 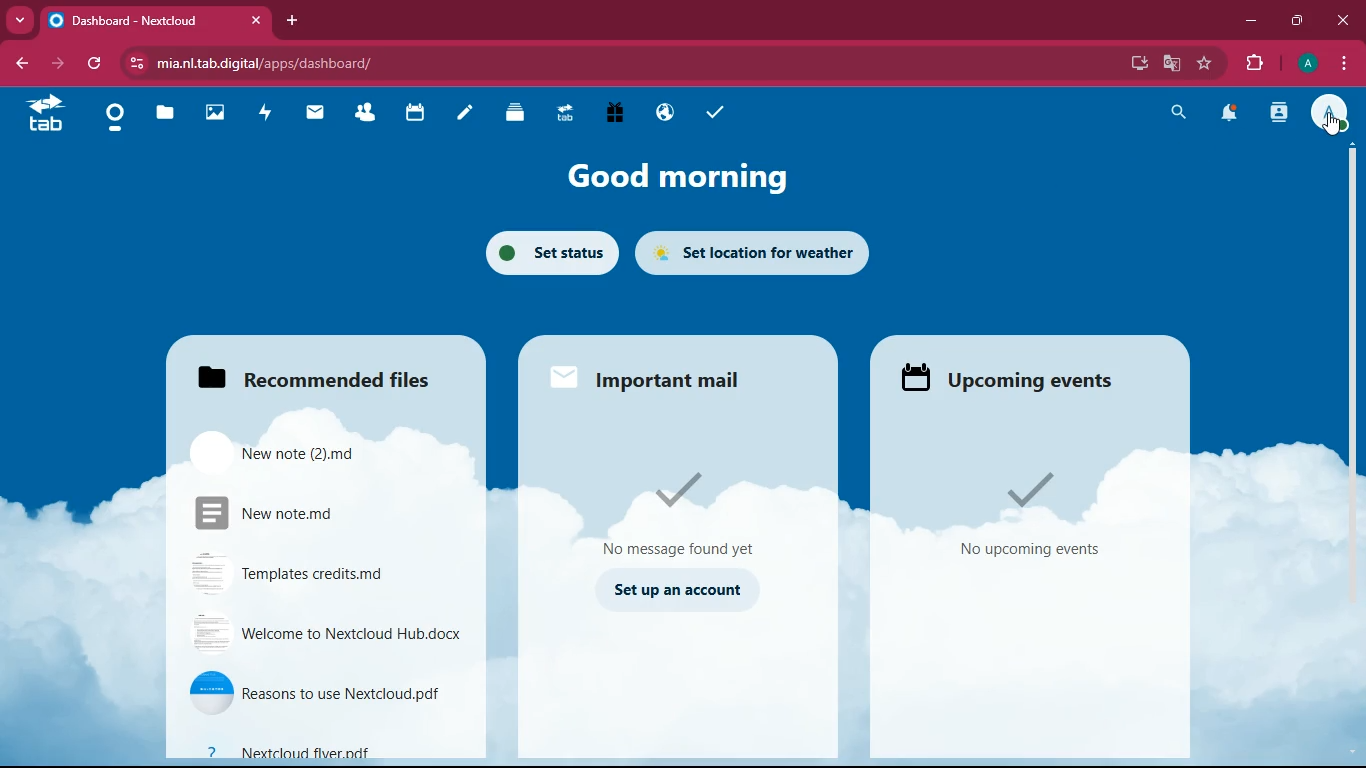 What do you see at coordinates (1305, 64) in the screenshot?
I see `profile` at bounding box center [1305, 64].